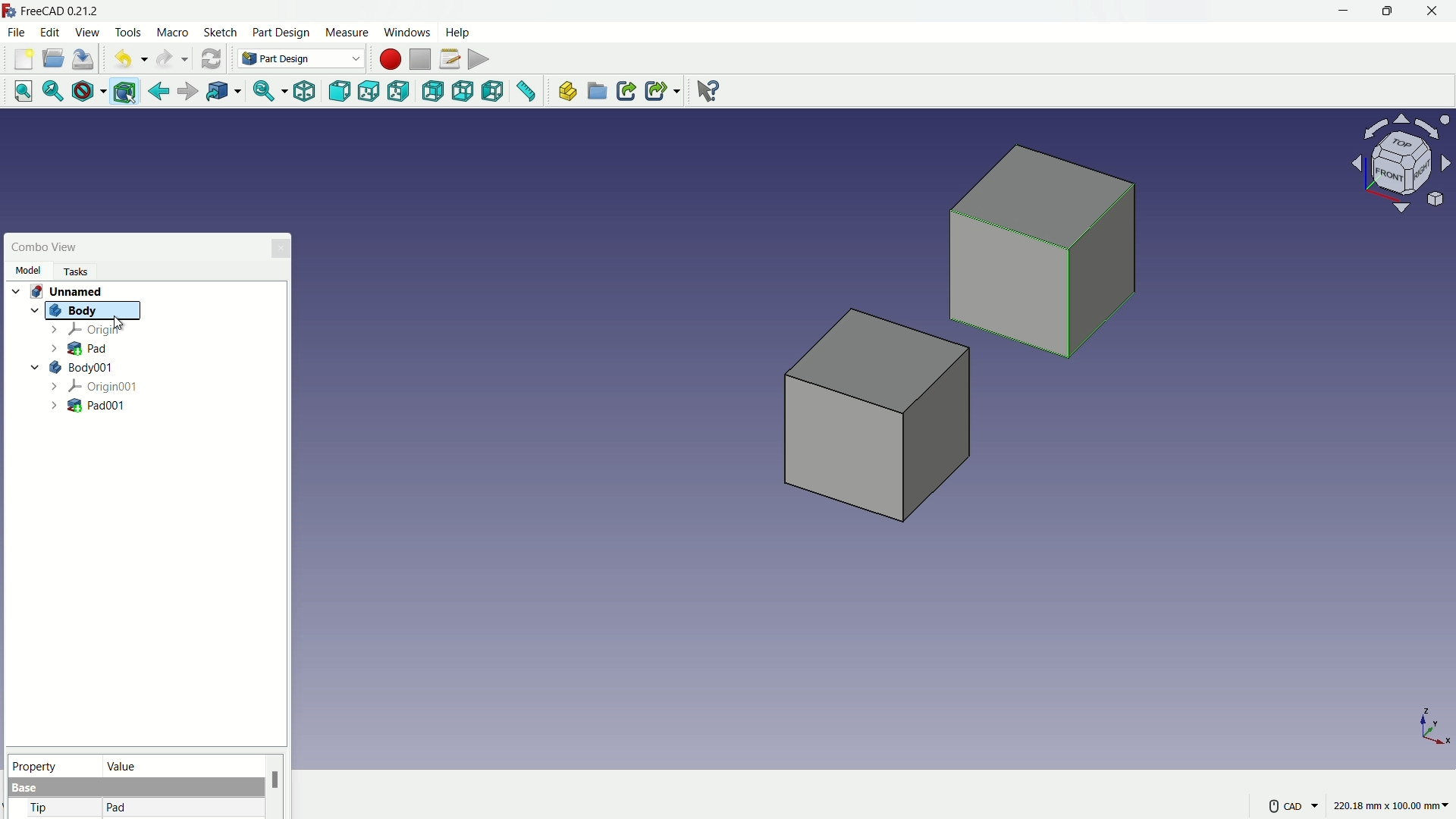  Describe the element at coordinates (465, 92) in the screenshot. I see `bottom view` at that location.